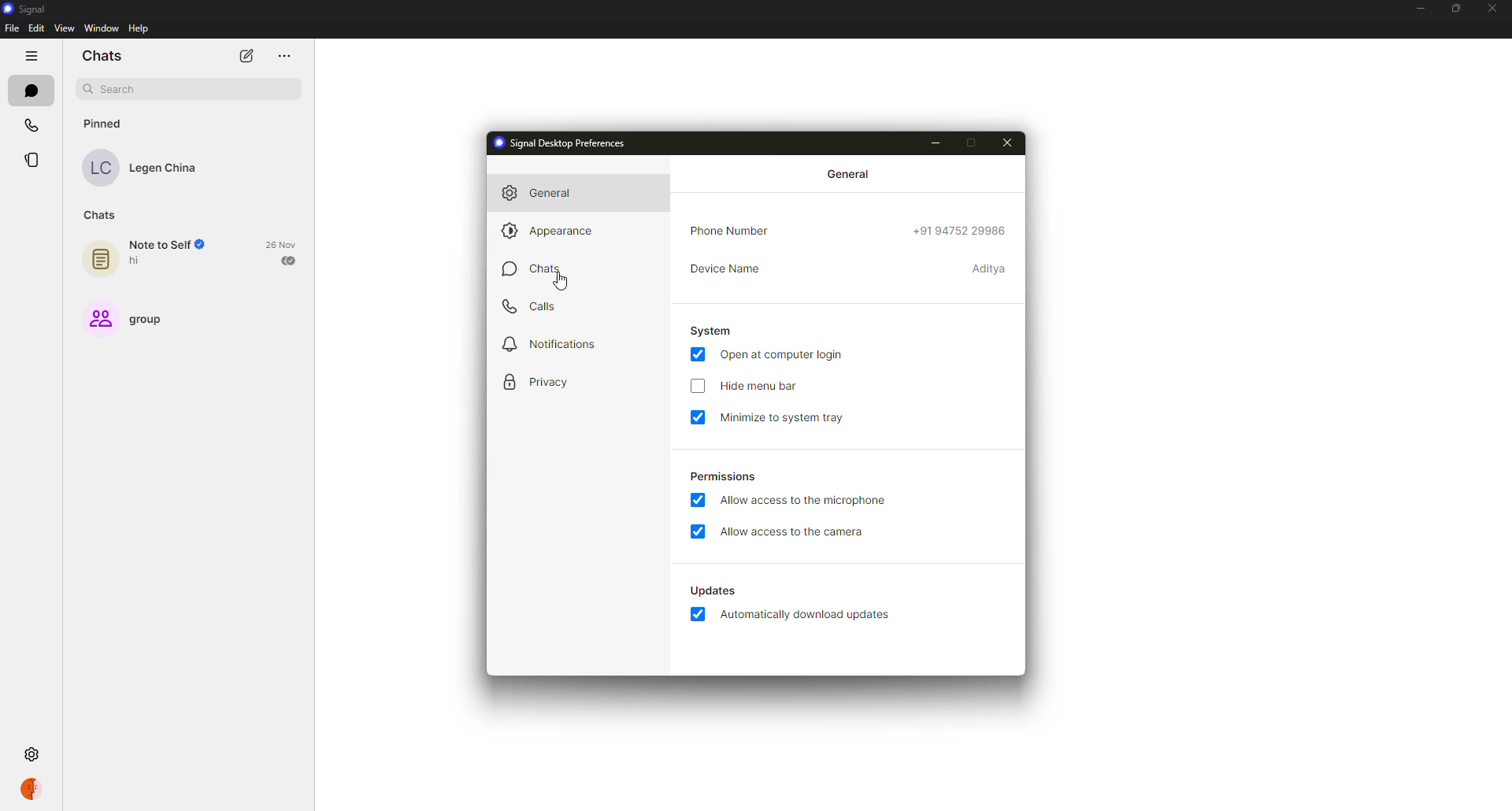  I want to click on appearance, so click(547, 231).